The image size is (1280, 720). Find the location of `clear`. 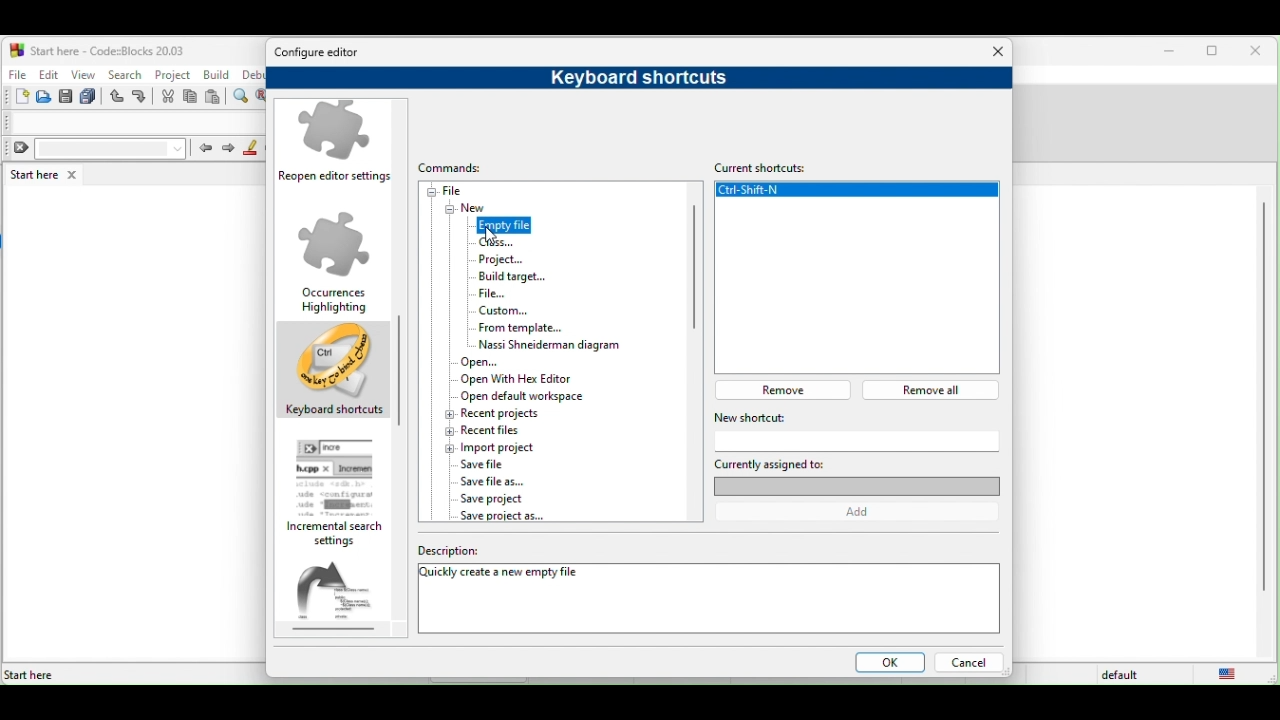

clear is located at coordinates (96, 149).